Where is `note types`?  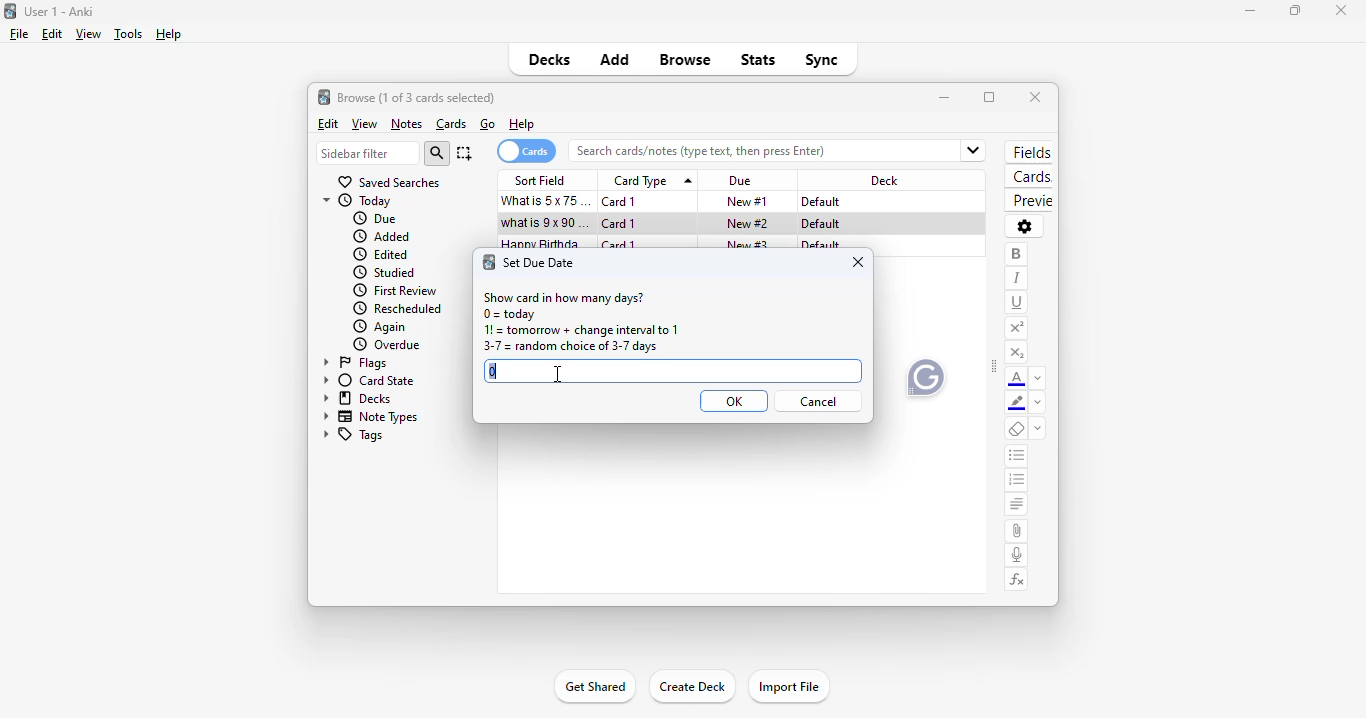 note types is located at coordinates (368, 417).